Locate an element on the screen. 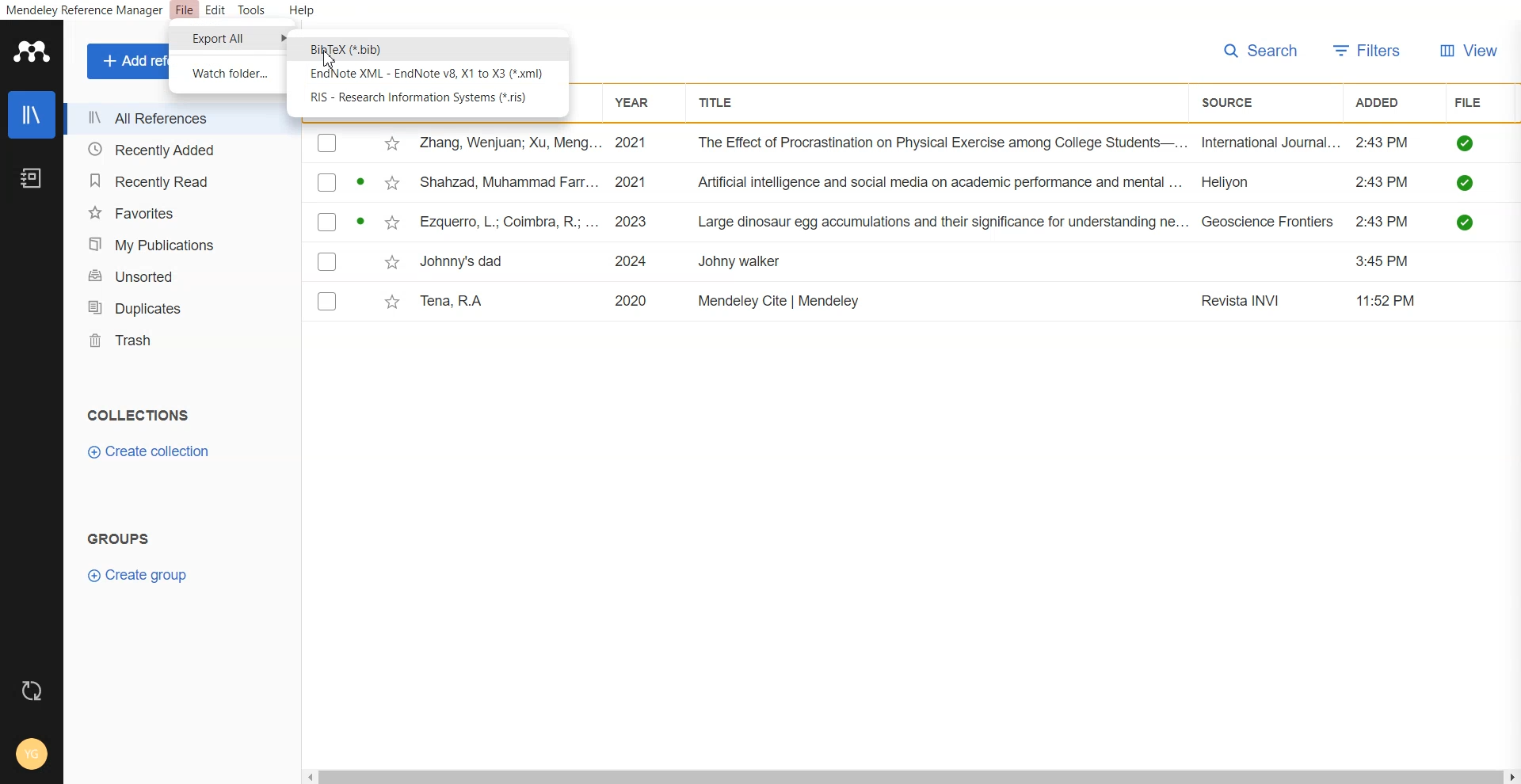 The image size is (1521, 784). Create group is located at coordinates (137, 575).